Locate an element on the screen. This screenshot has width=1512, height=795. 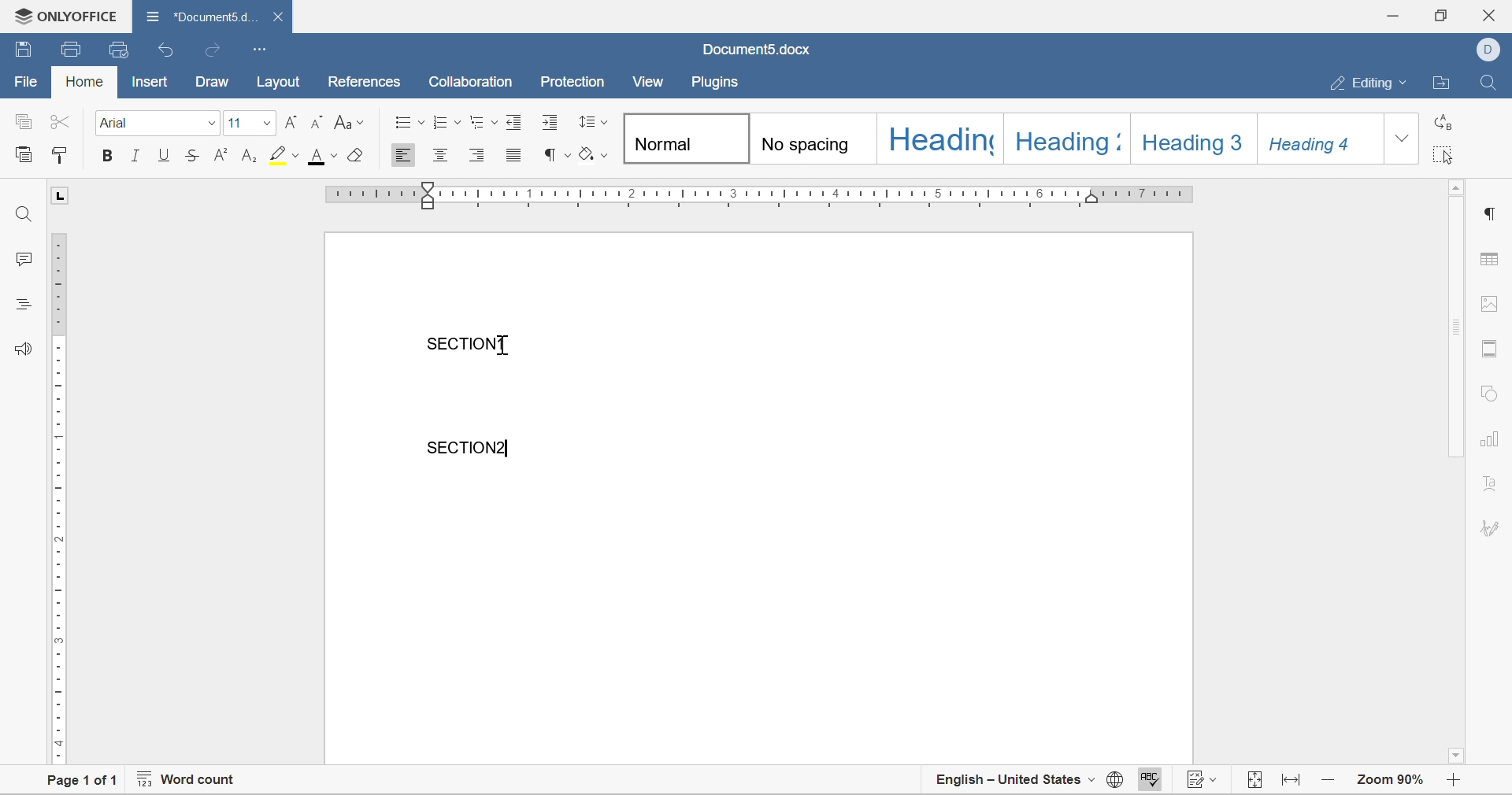
increment font size is located at coordinates (291, 121).